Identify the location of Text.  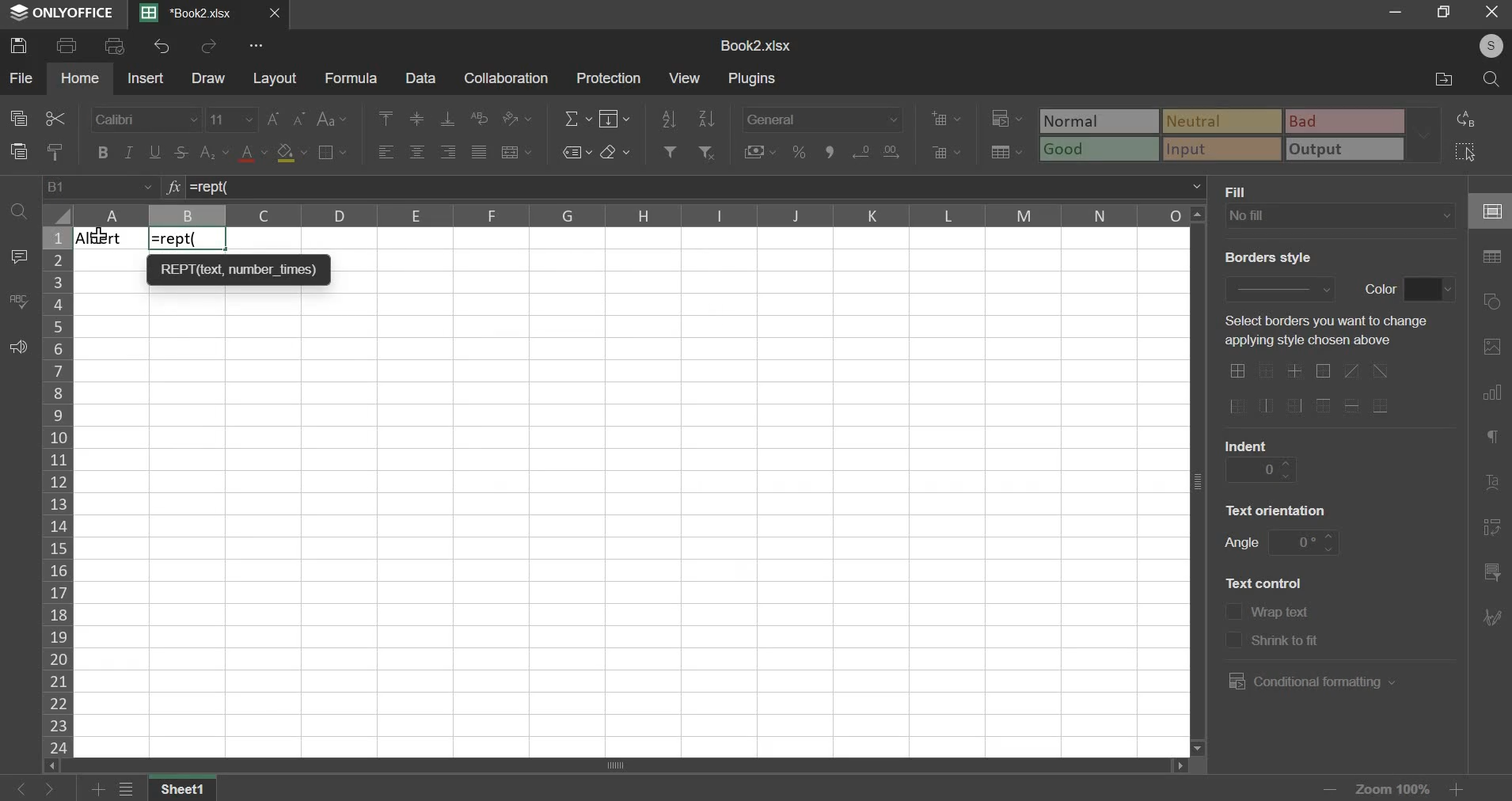
(108, 237).